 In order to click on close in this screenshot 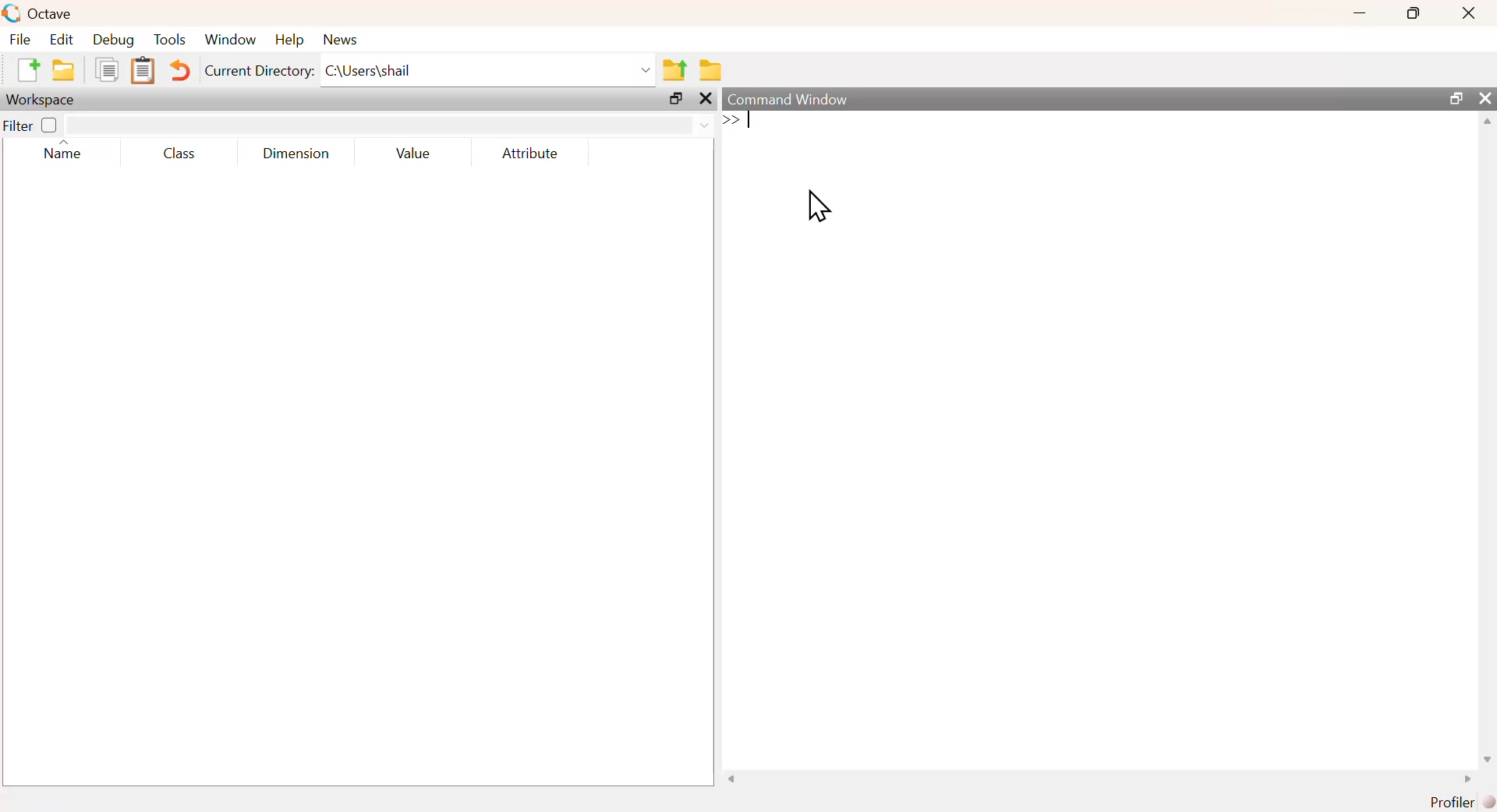, I will do `click(1485, 97)`.